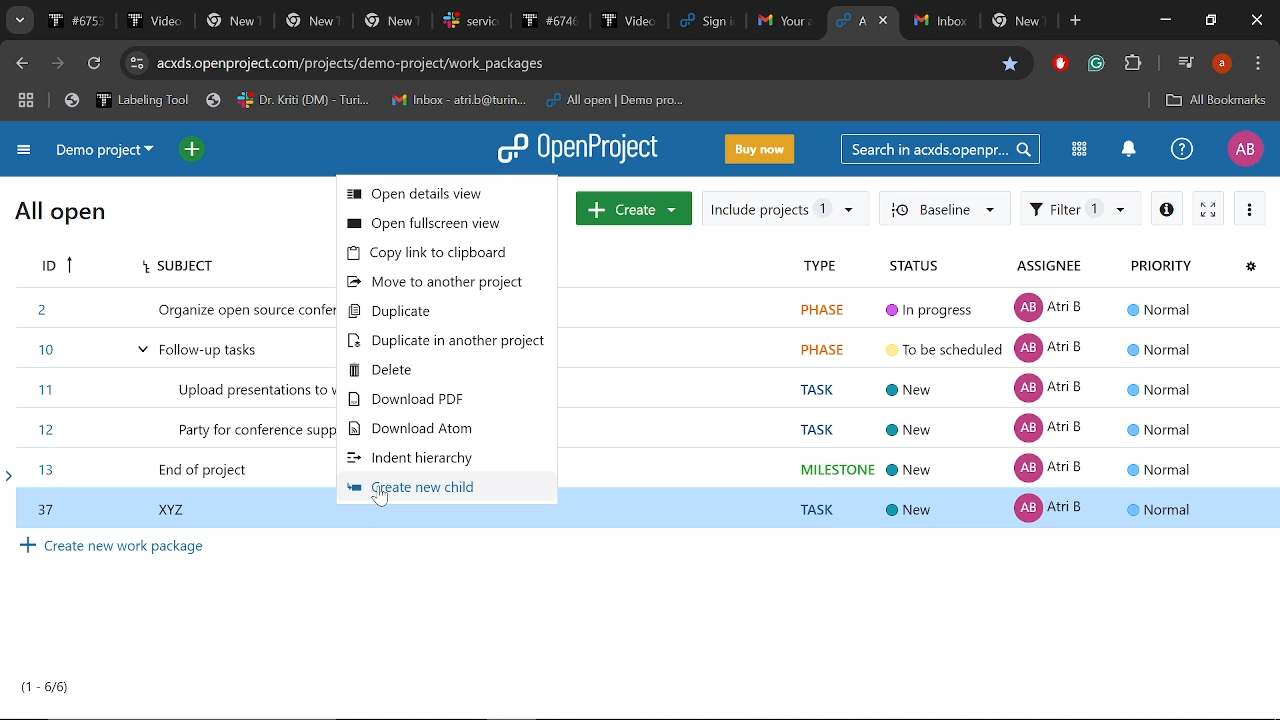 The width and height of the screenshot is (1280, 720). What do you see at coordinates (1210, 21) in the screenshot?
I see `Restore down` at bounding box center [1210, 21].